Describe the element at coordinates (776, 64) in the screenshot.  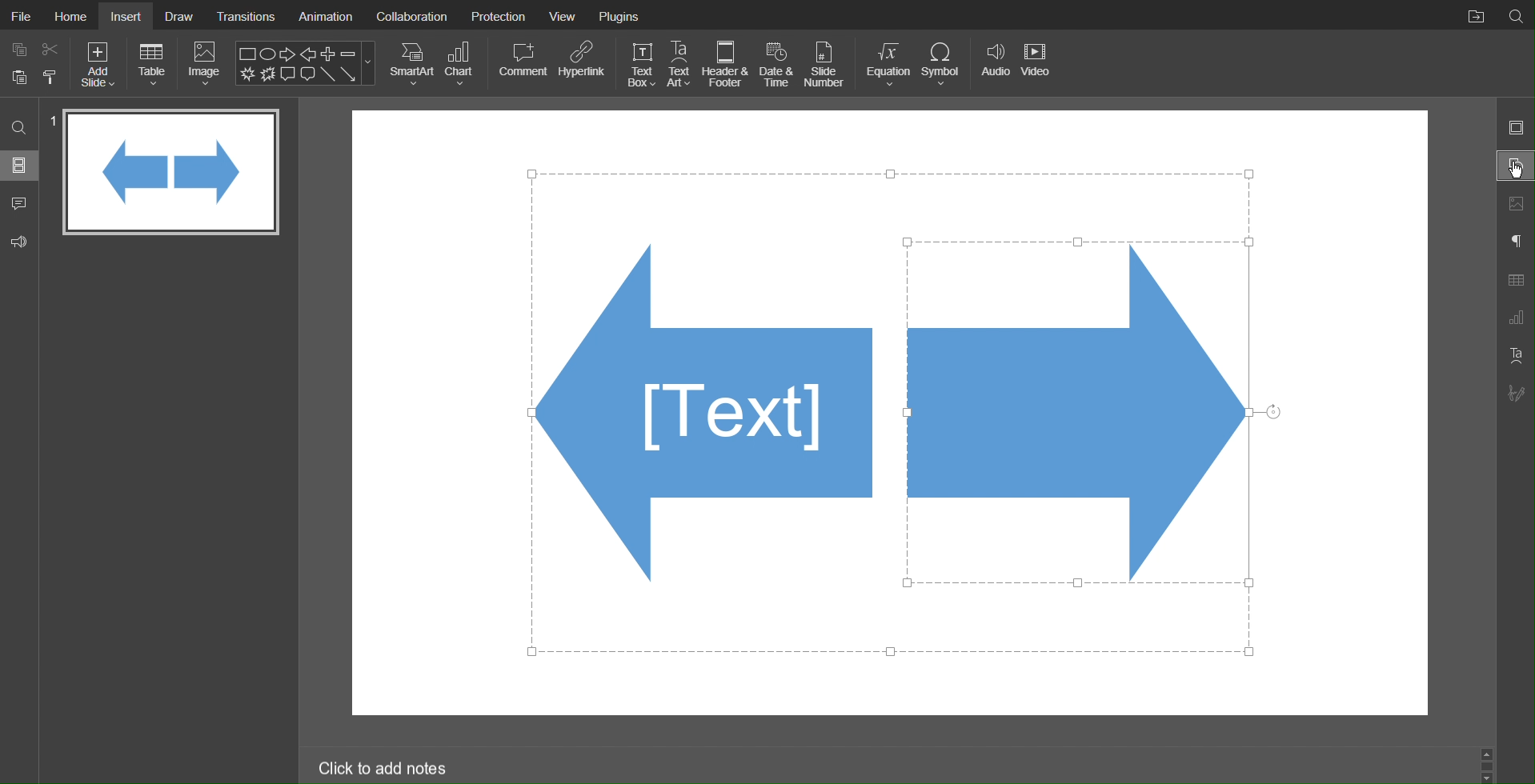
I see `Date and Time` at that location.